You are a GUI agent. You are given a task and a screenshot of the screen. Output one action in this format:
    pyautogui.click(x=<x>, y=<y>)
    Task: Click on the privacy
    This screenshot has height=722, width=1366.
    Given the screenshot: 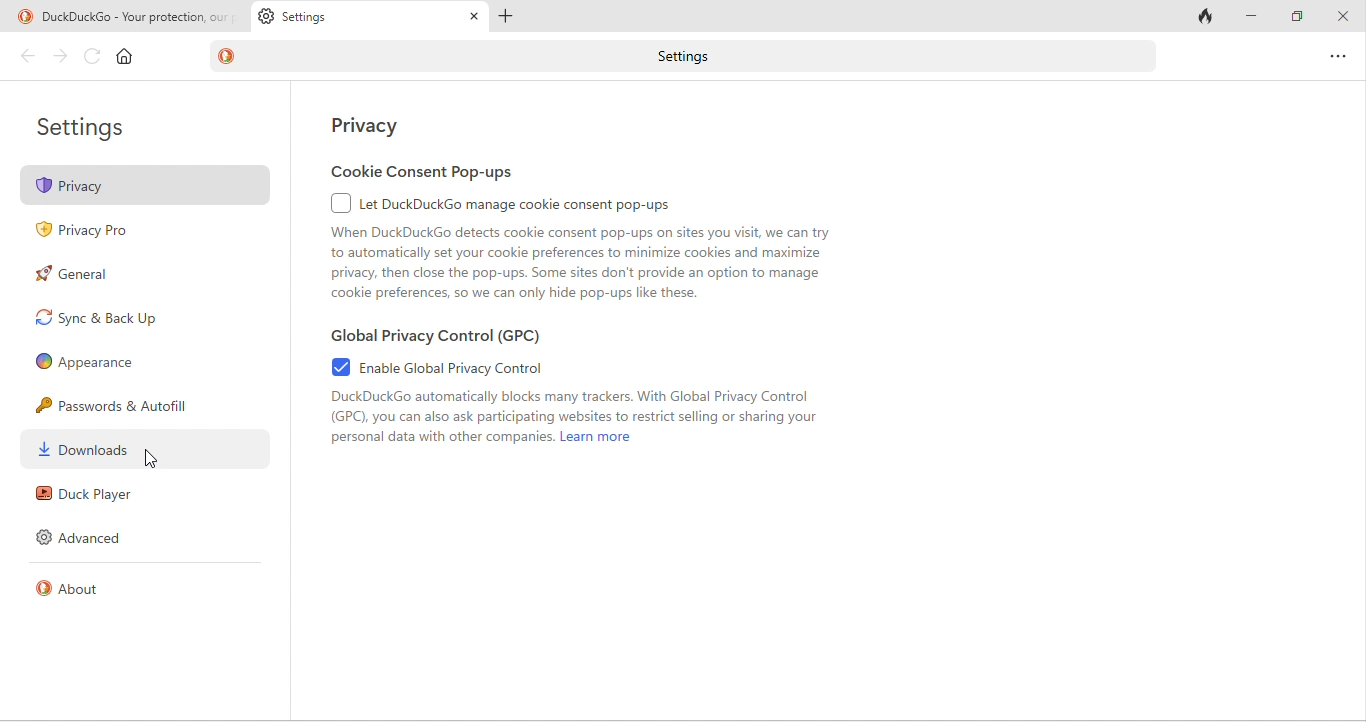 What is the action you would take?
    pyautogui.click(x=373, y=123)
    